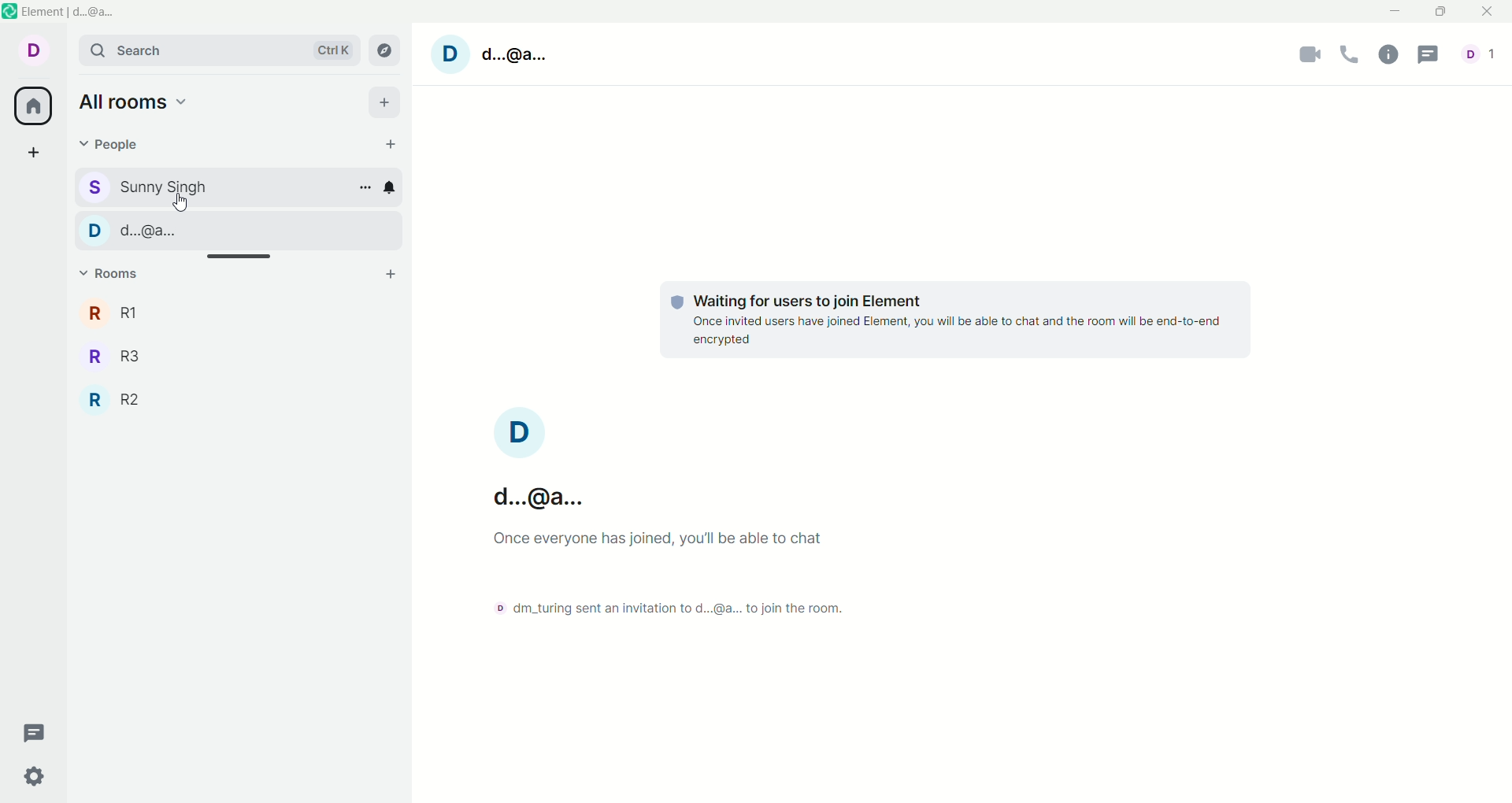 The image size is (1512, 803). I want to click on people, so click(224, 230).